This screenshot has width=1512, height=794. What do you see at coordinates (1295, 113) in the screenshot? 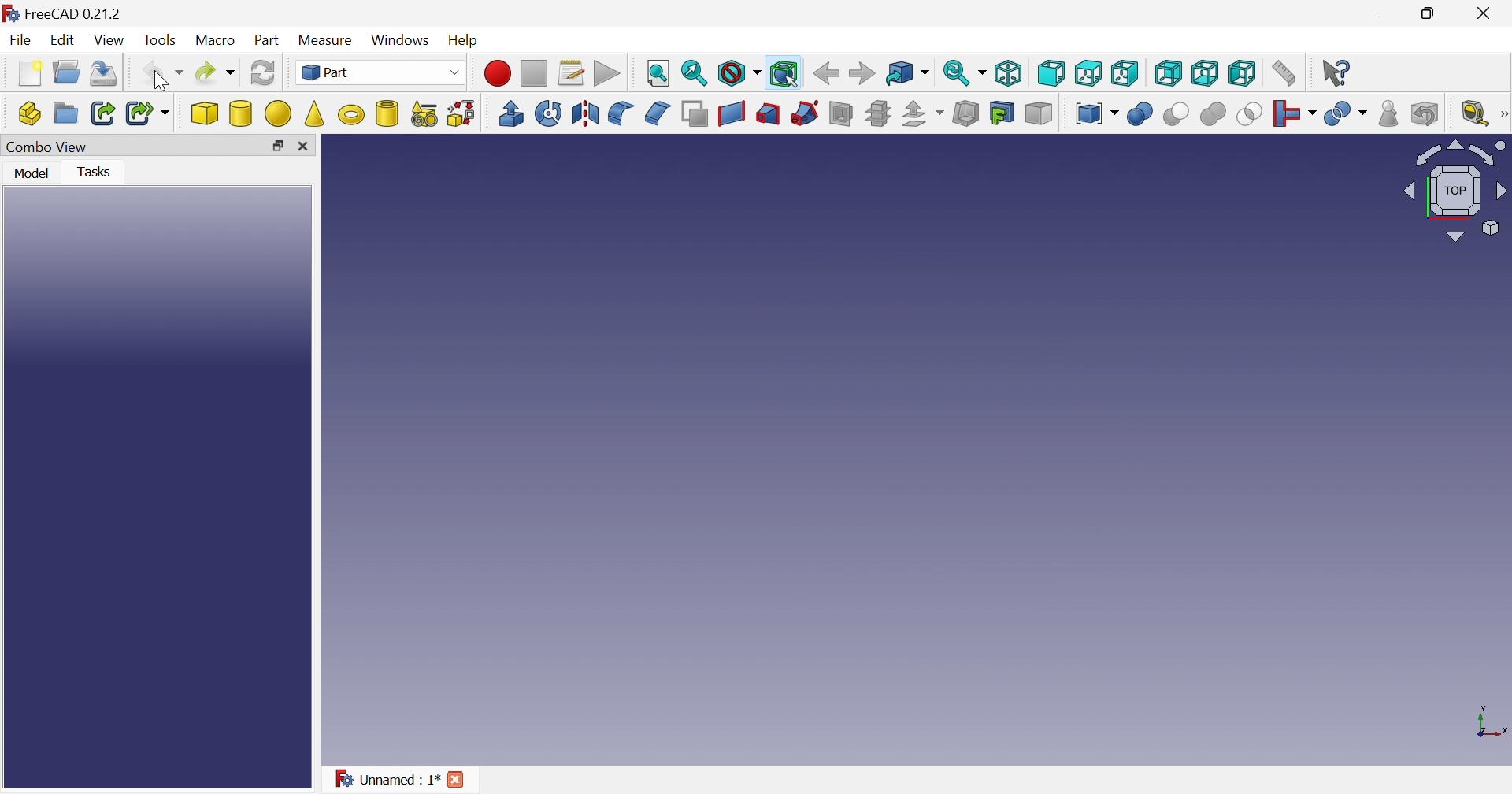
I see `Join objects...` at bounding box center [1295, 113].